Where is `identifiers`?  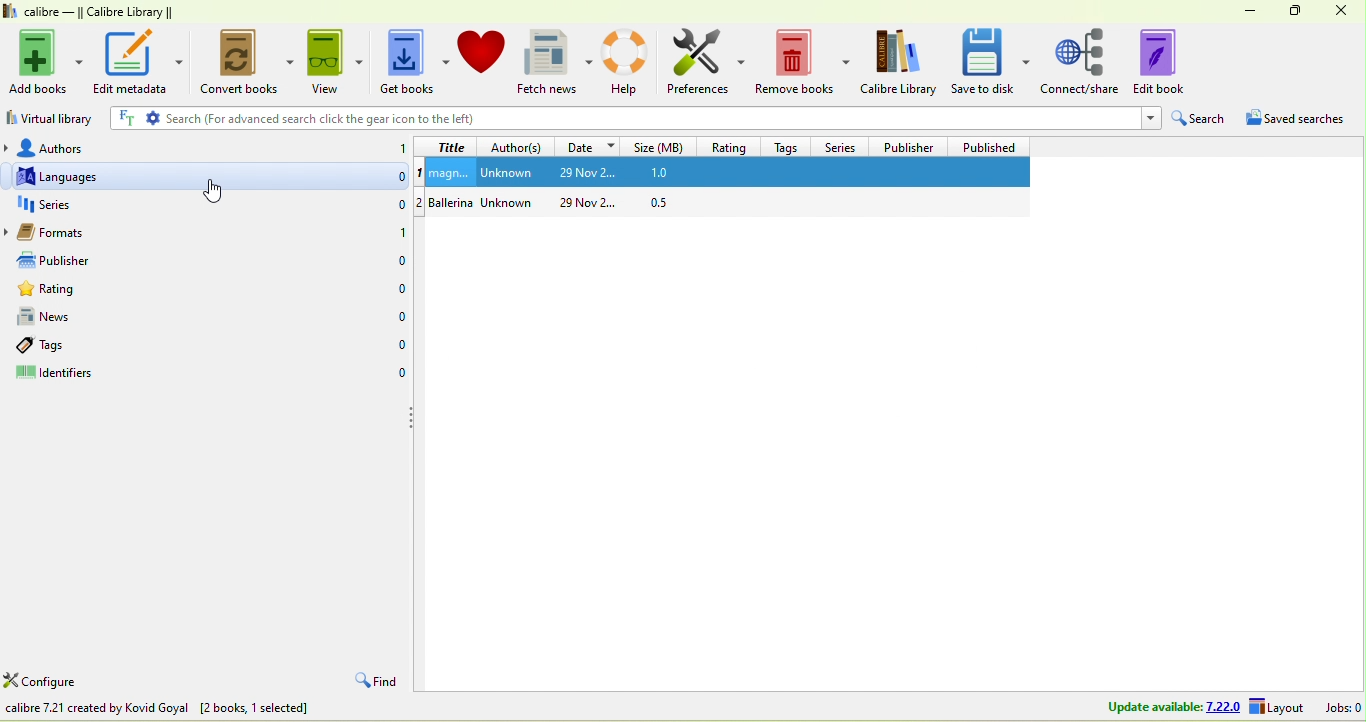
identifiers is located at coordinates (61, 371).